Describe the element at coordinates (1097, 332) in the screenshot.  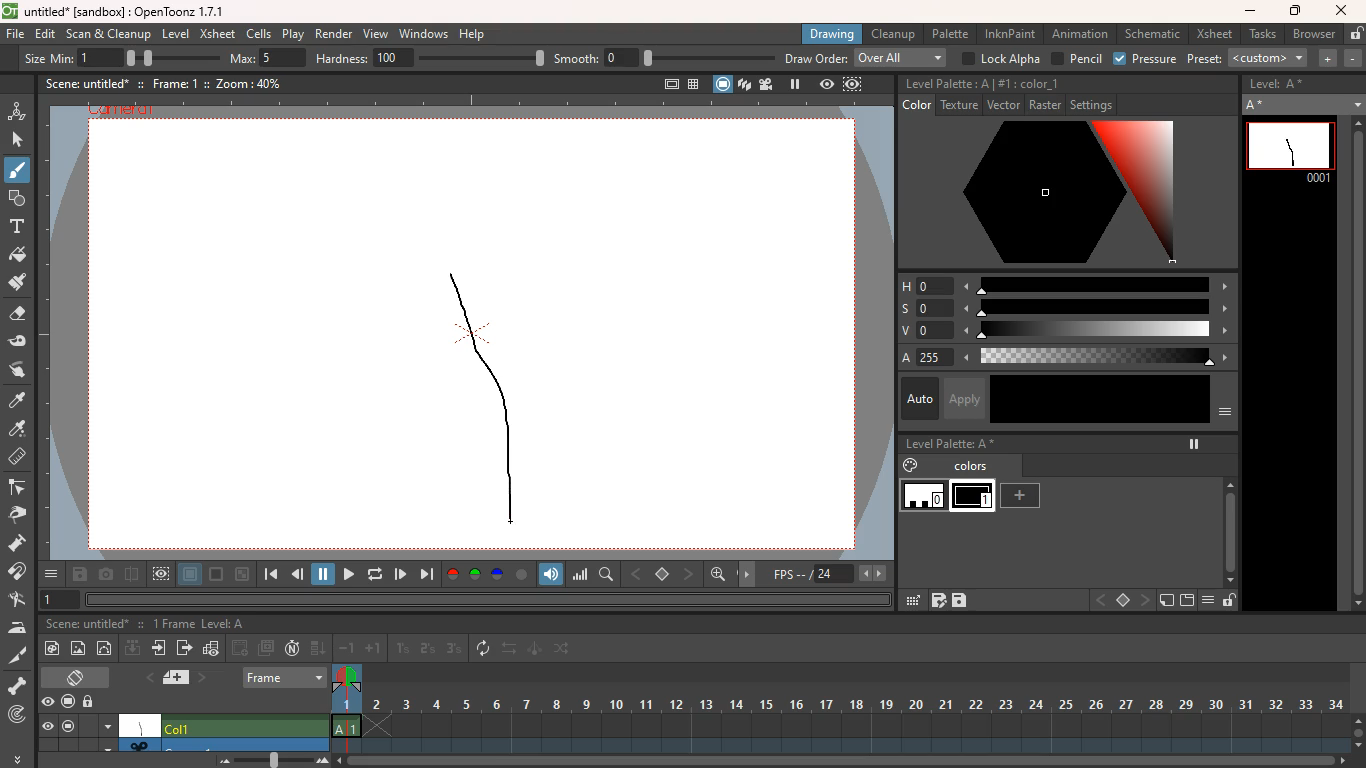
I see `scale` at that location.